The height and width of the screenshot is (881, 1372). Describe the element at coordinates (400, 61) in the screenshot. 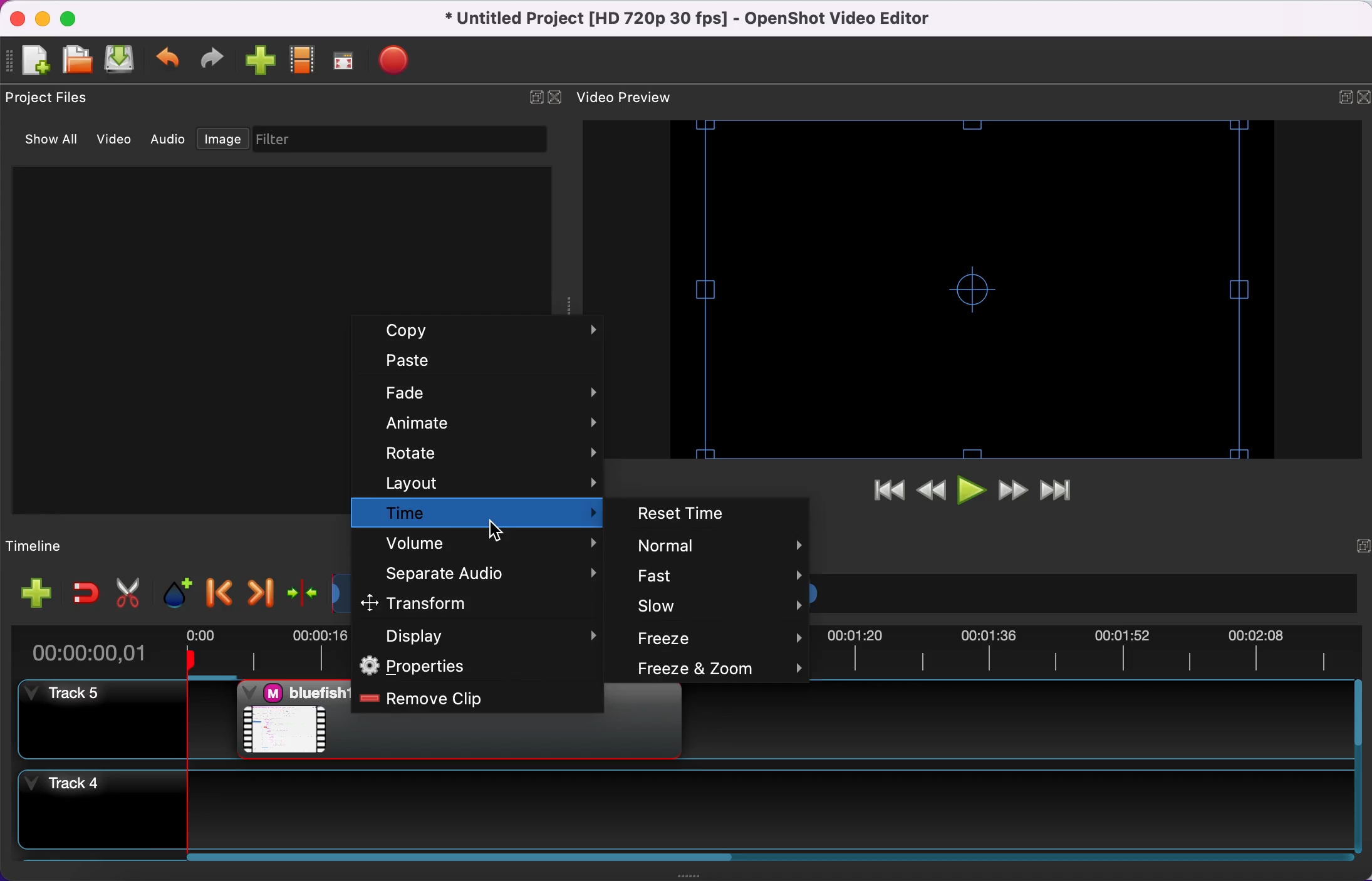

I see `export video` at that location.